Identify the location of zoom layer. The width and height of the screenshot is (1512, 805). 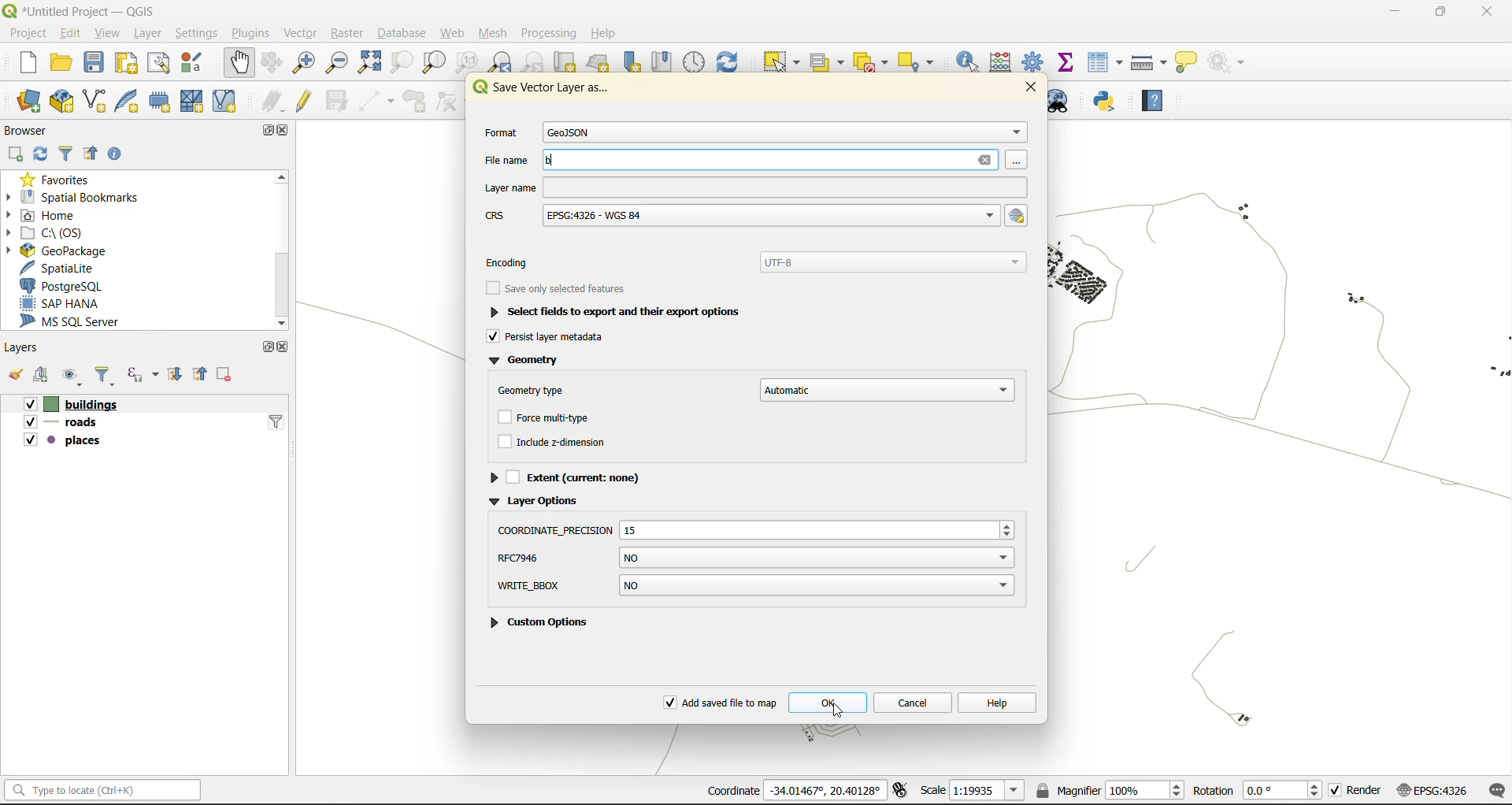
(433, 63).